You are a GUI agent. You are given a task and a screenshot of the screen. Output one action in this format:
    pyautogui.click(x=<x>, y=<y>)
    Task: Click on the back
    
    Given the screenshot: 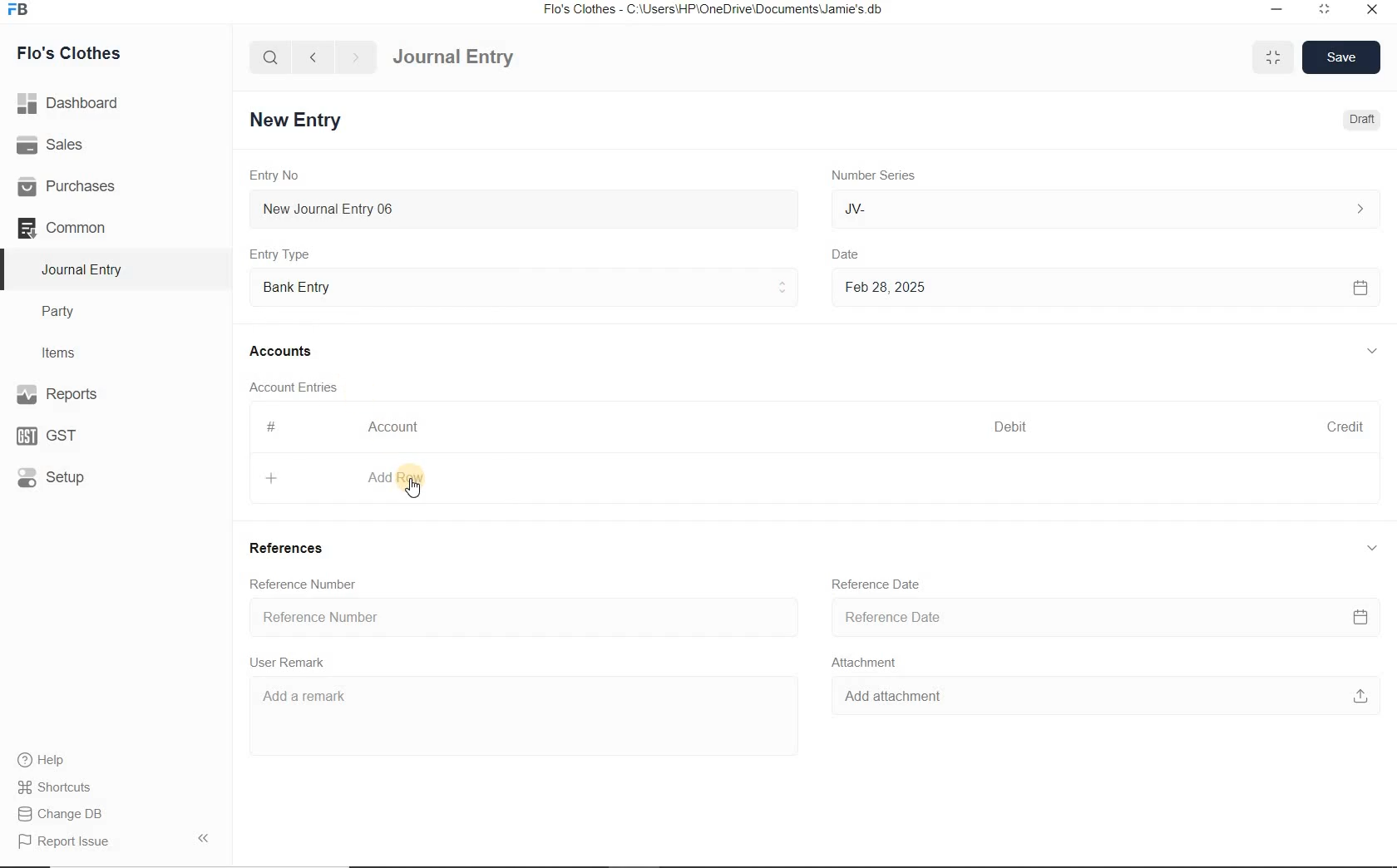 What is the action you would take?
    pyautogui.click(x=313, y=56)
    